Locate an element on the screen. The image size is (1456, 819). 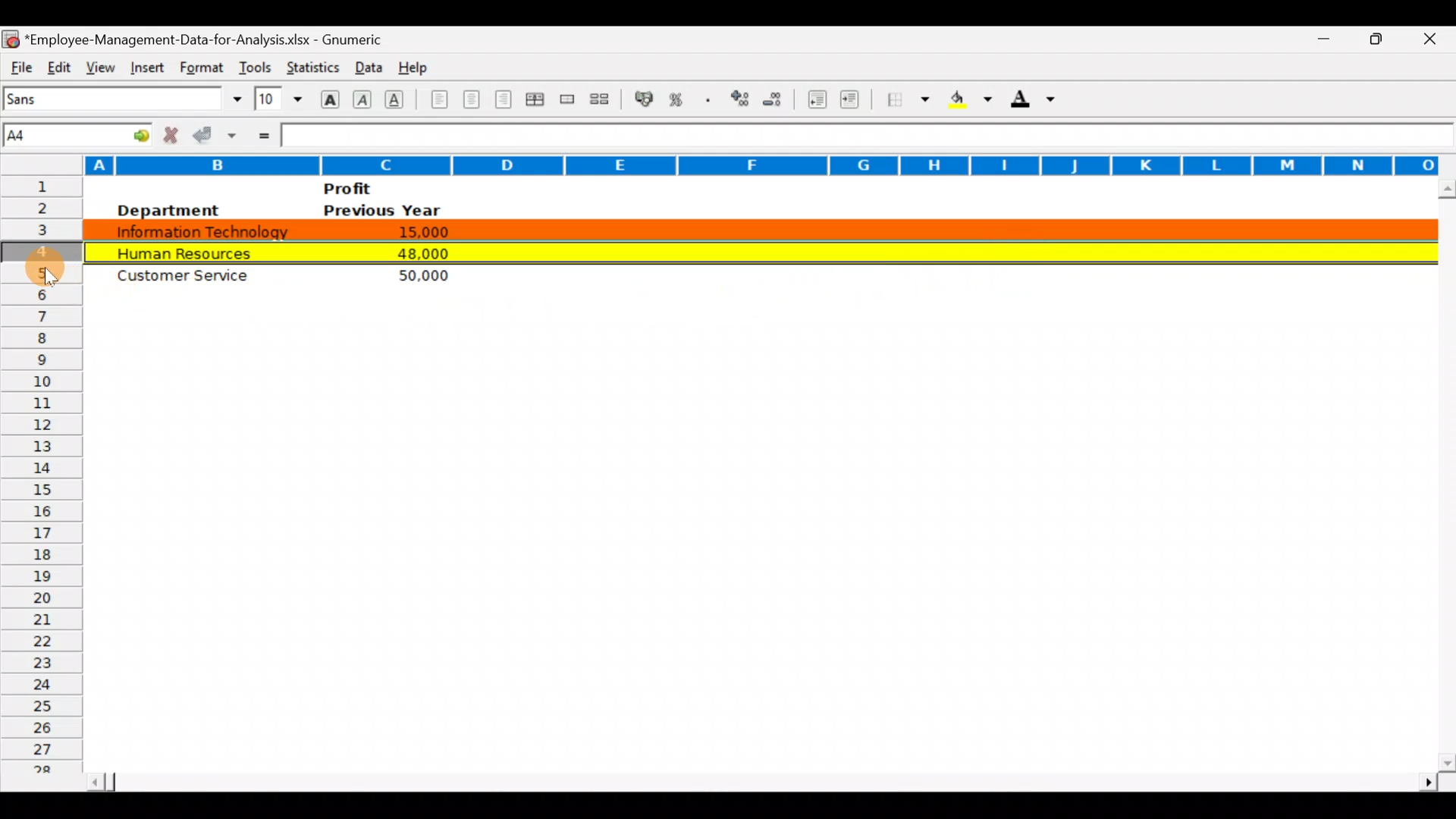
Cell name is located at coordinates (79, 131).